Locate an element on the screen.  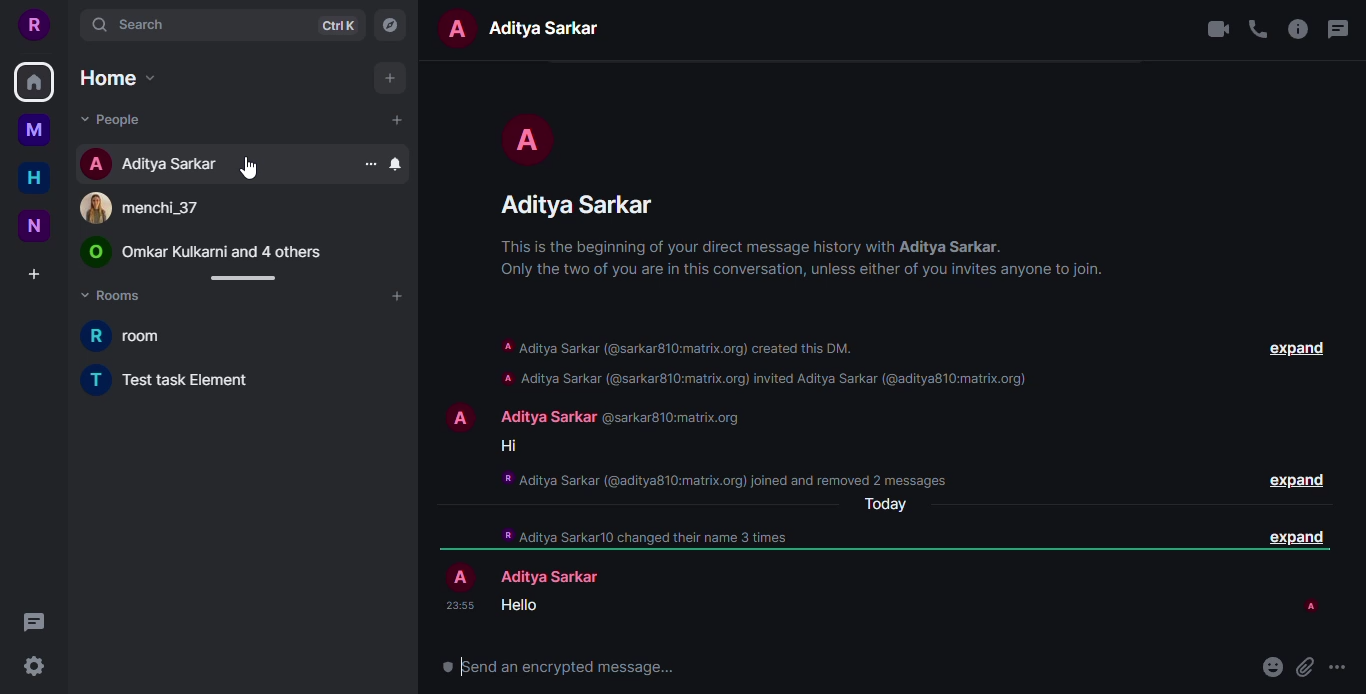
A is located at coordinates (460, 574).